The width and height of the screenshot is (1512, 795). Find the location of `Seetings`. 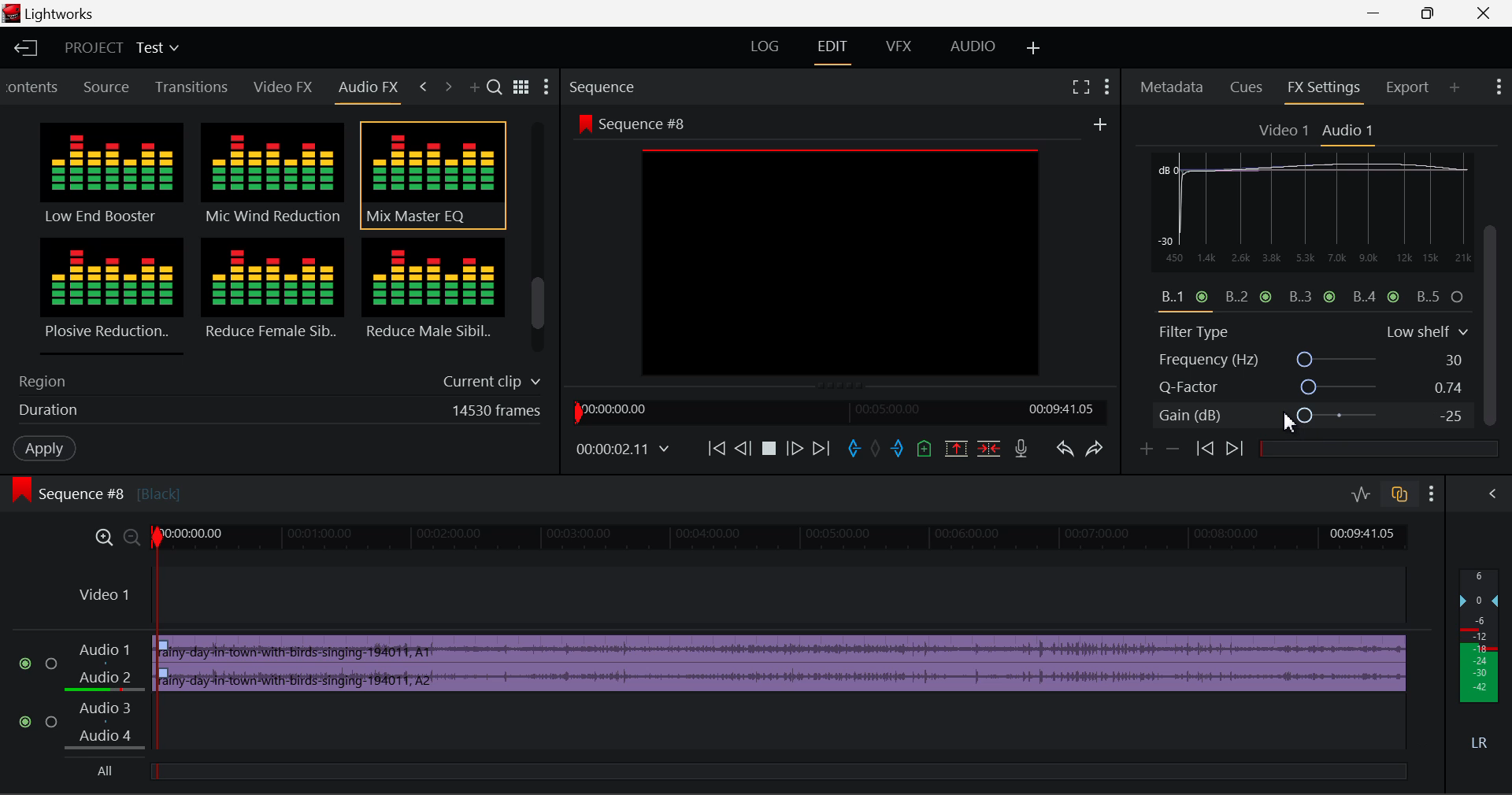

Seetings is located at coordinates (1470, 167).